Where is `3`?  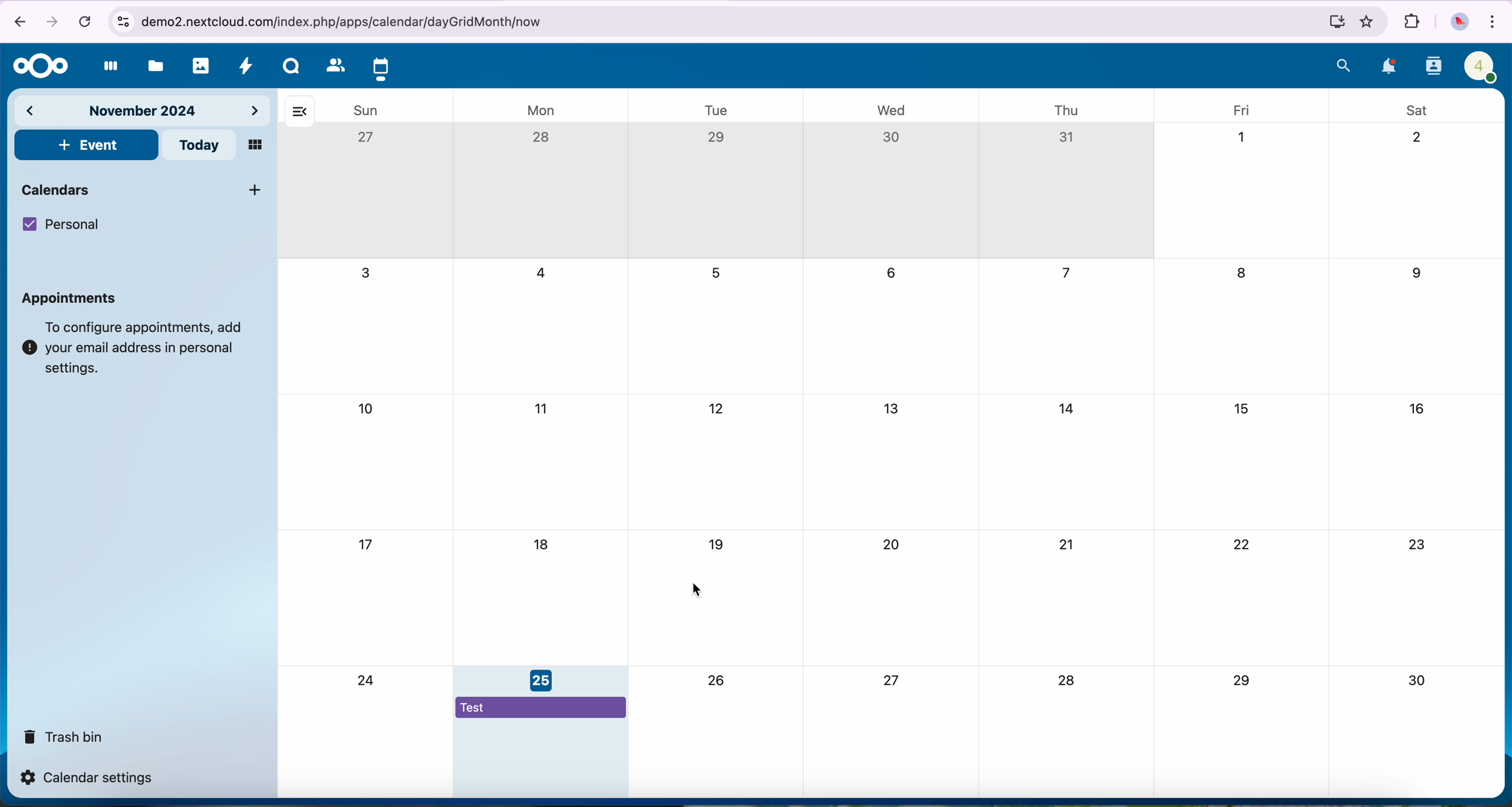 3 is located at coordinates (366, 271).